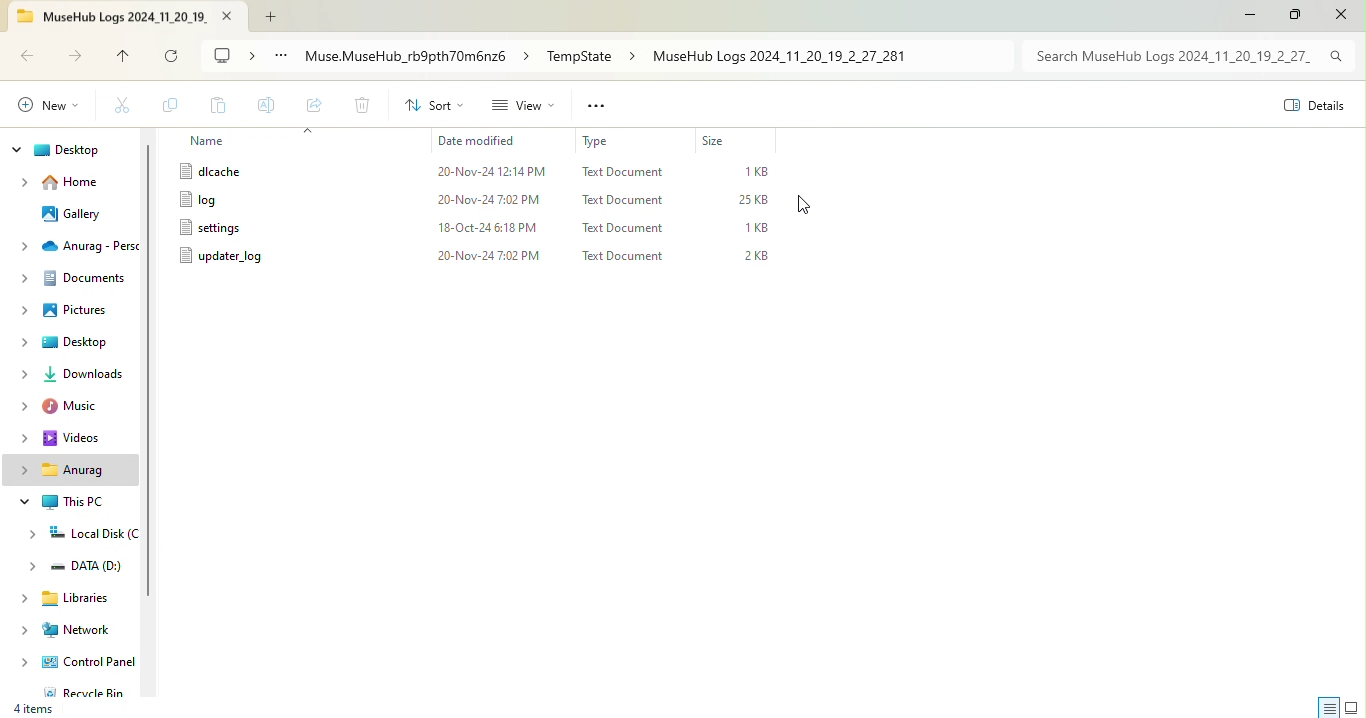 This screenshot has width=1366, height=718. Describe the element at coordinates (1353, 707) in the screenshot. I see `Display items by using large thumbnails` at that location.